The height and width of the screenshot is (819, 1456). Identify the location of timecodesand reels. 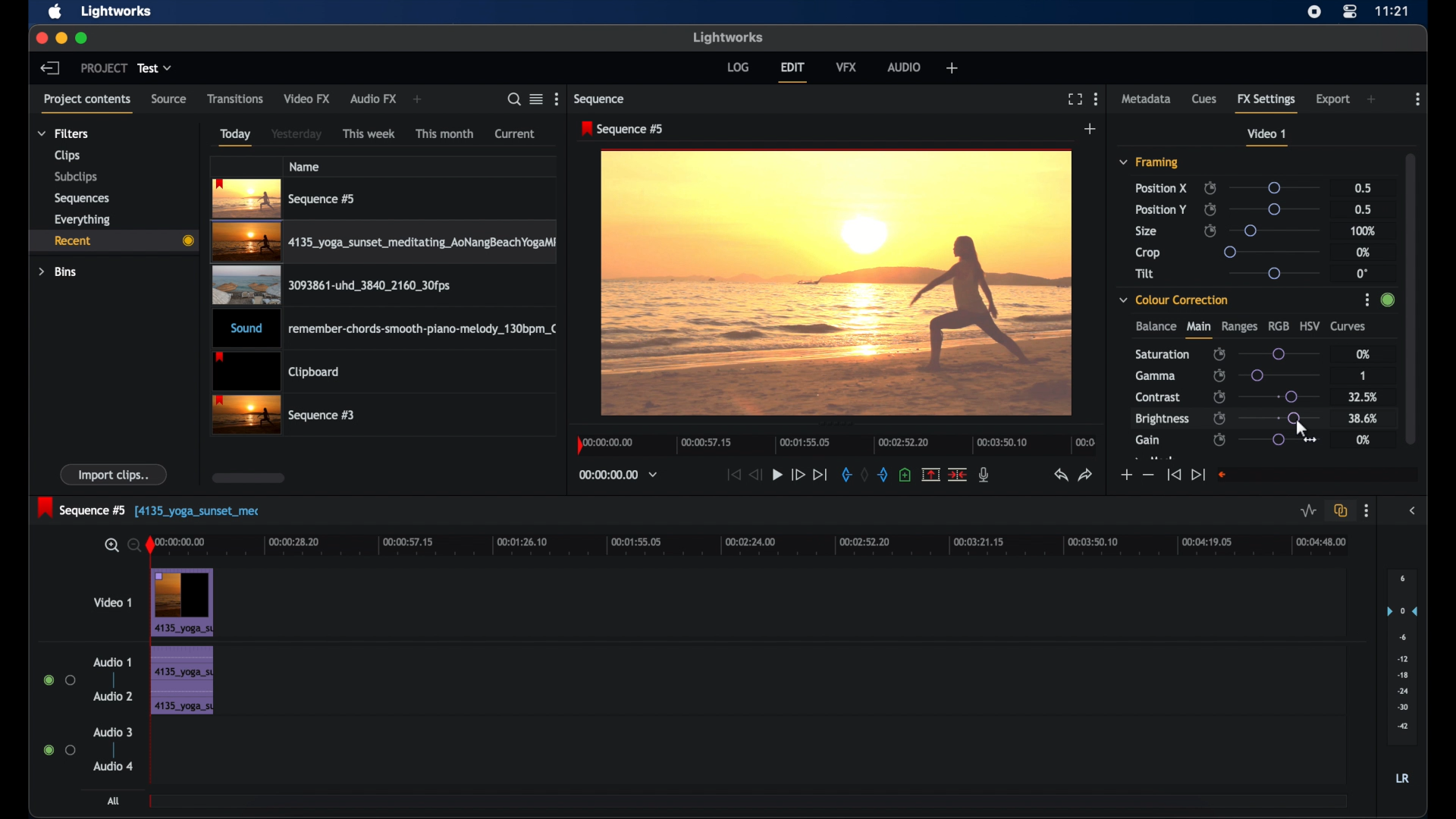
(619, 475).